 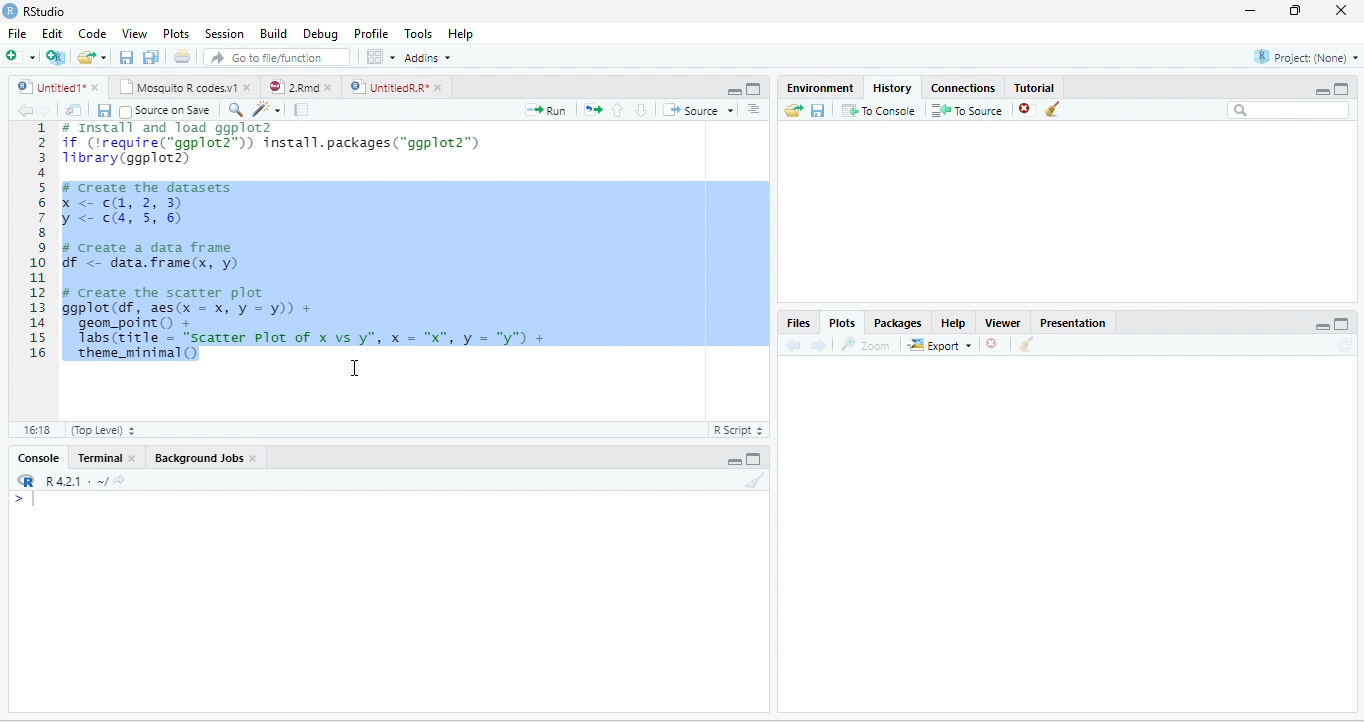 I want to click on File, so click(x=18, y=33).